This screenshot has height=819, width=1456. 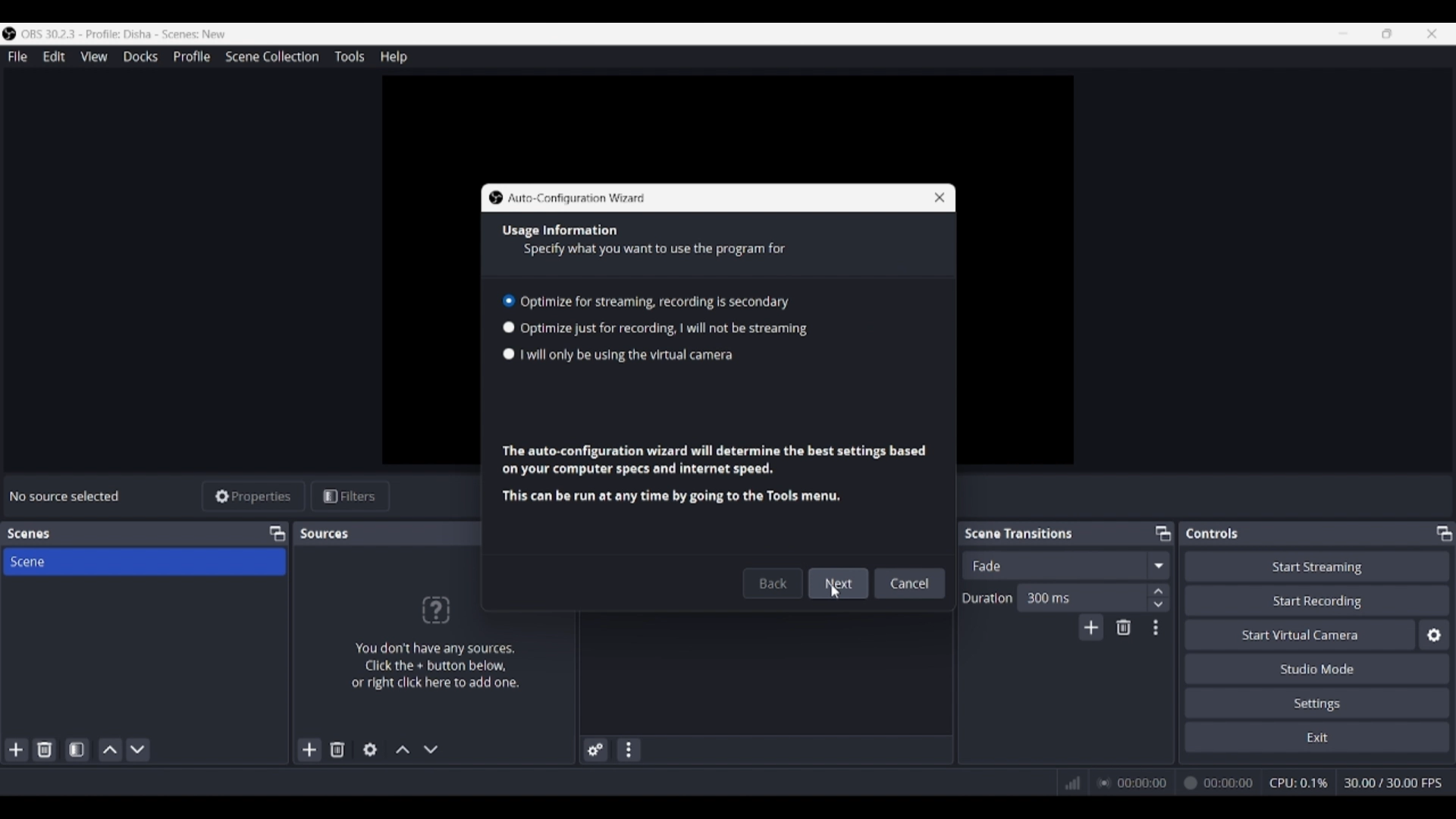 I want to click on Move source down, so click(x=431, y=749).